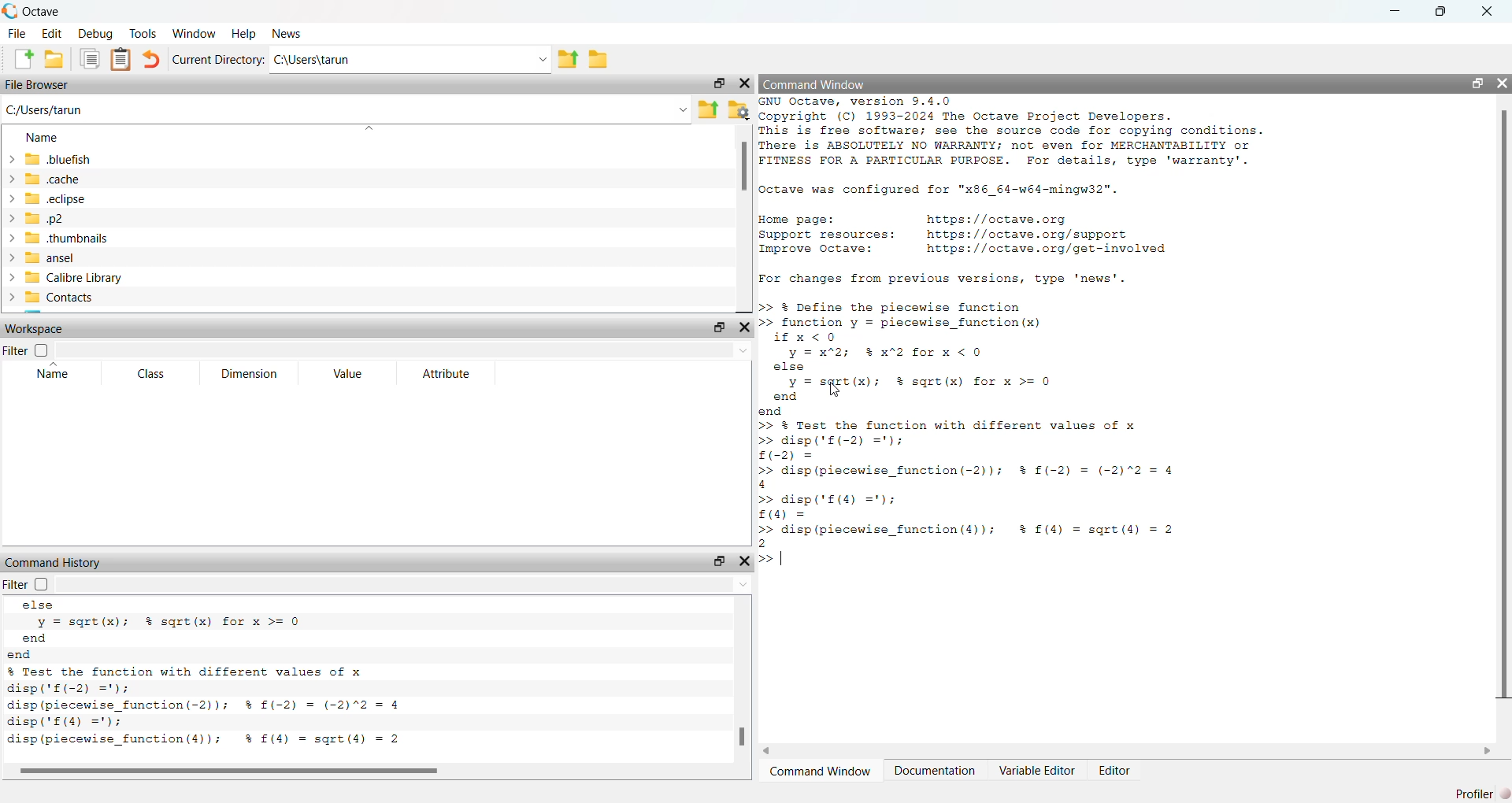  Describe the element at coordinates (1034, 194) in the screenshot. I see `GNU Octave, version 9.4.0

Copyright (C) 1993-2024 The Octave Project Developers.

This is free software; see the source code for copying conditions.
There is ABSOLUTELY NO WARRANTY; not even for MERCHANTABILITY or
FITNESS FOR A PARTICULAR PURPOSE. For details, type 'warranty'.
octave was configured for "x86_64-w64-mingw32".

Home page: https://octave.org

Support resources:  https://octave.org/support

Improve Octave: https://octave.org/get-involved

For changes from previous versions, type 'news'.` at that location.